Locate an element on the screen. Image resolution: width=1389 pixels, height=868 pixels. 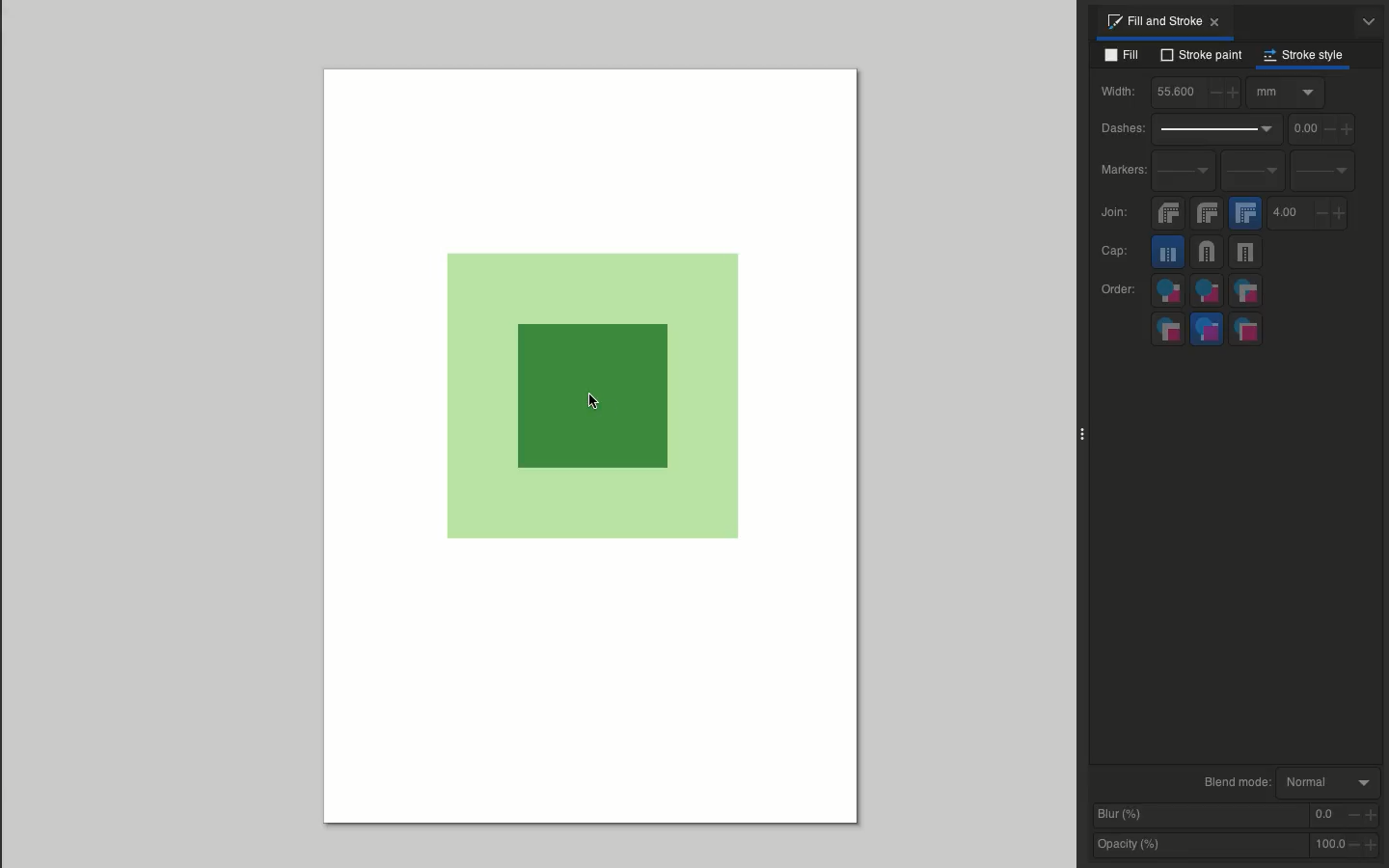
Fill is located at coordinates (1123, 55).